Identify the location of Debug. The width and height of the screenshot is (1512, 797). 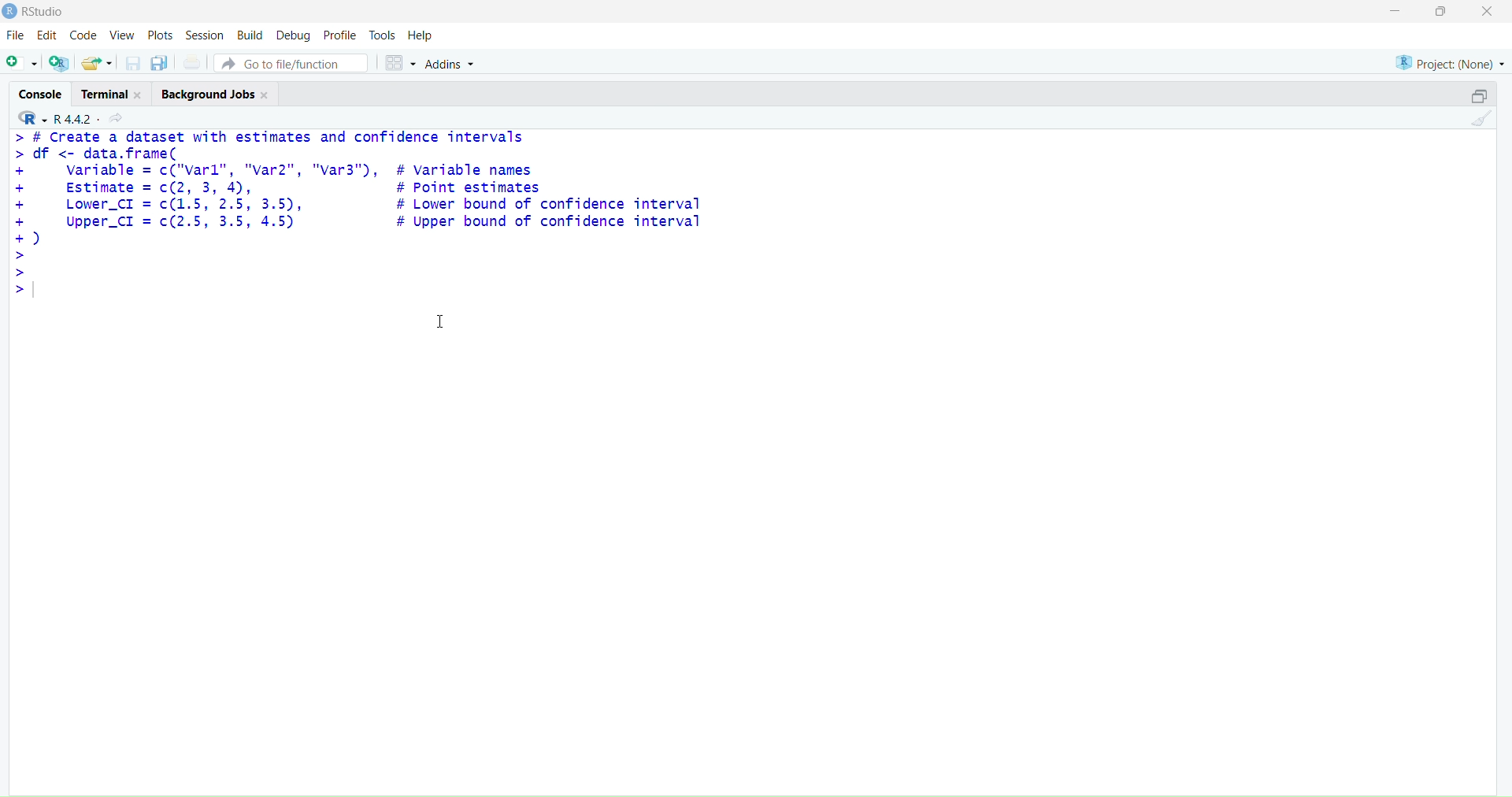
(291, 35).